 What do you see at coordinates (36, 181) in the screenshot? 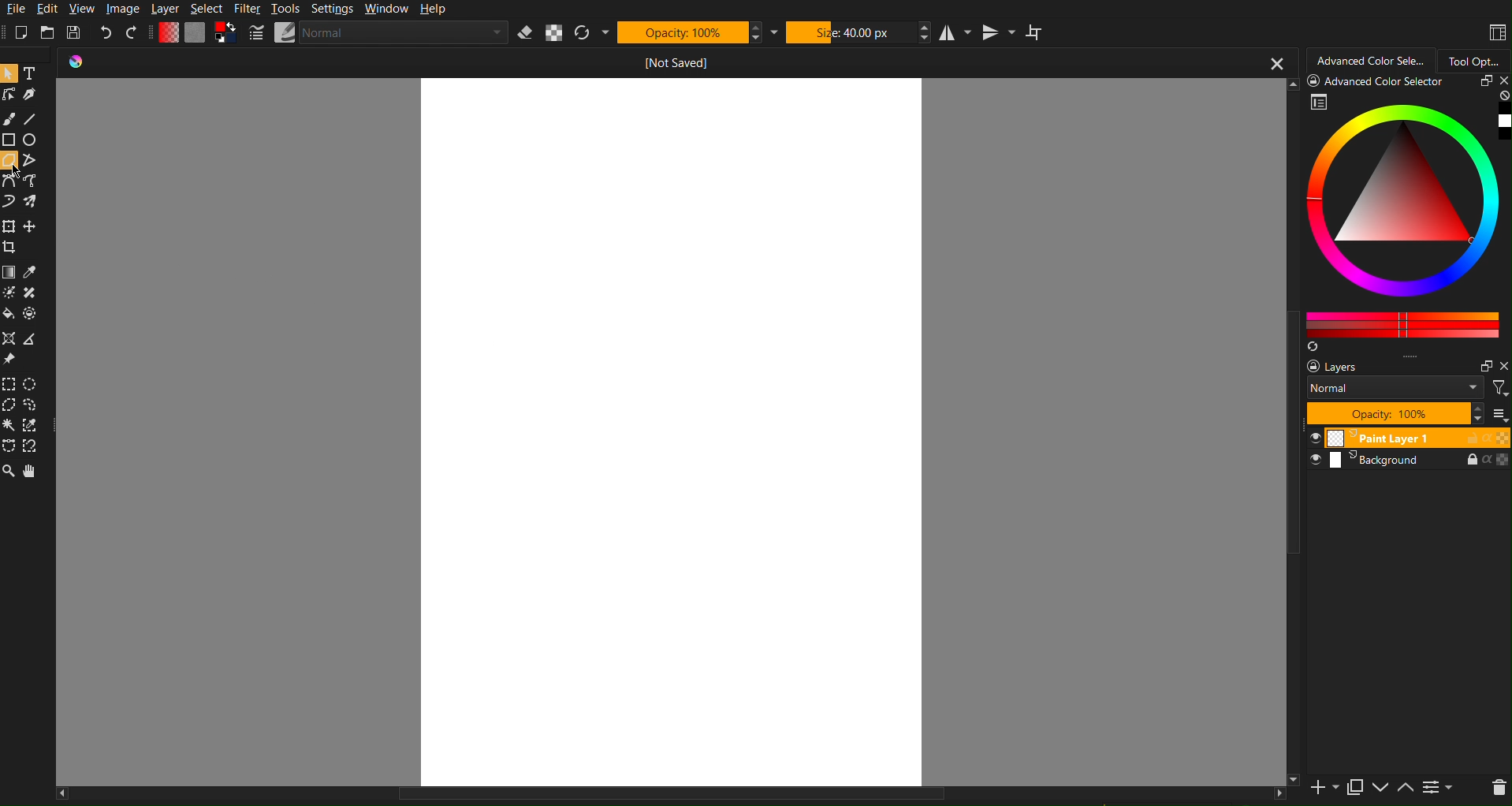
I see `freehand path tool` at bounding box center [36, 181].